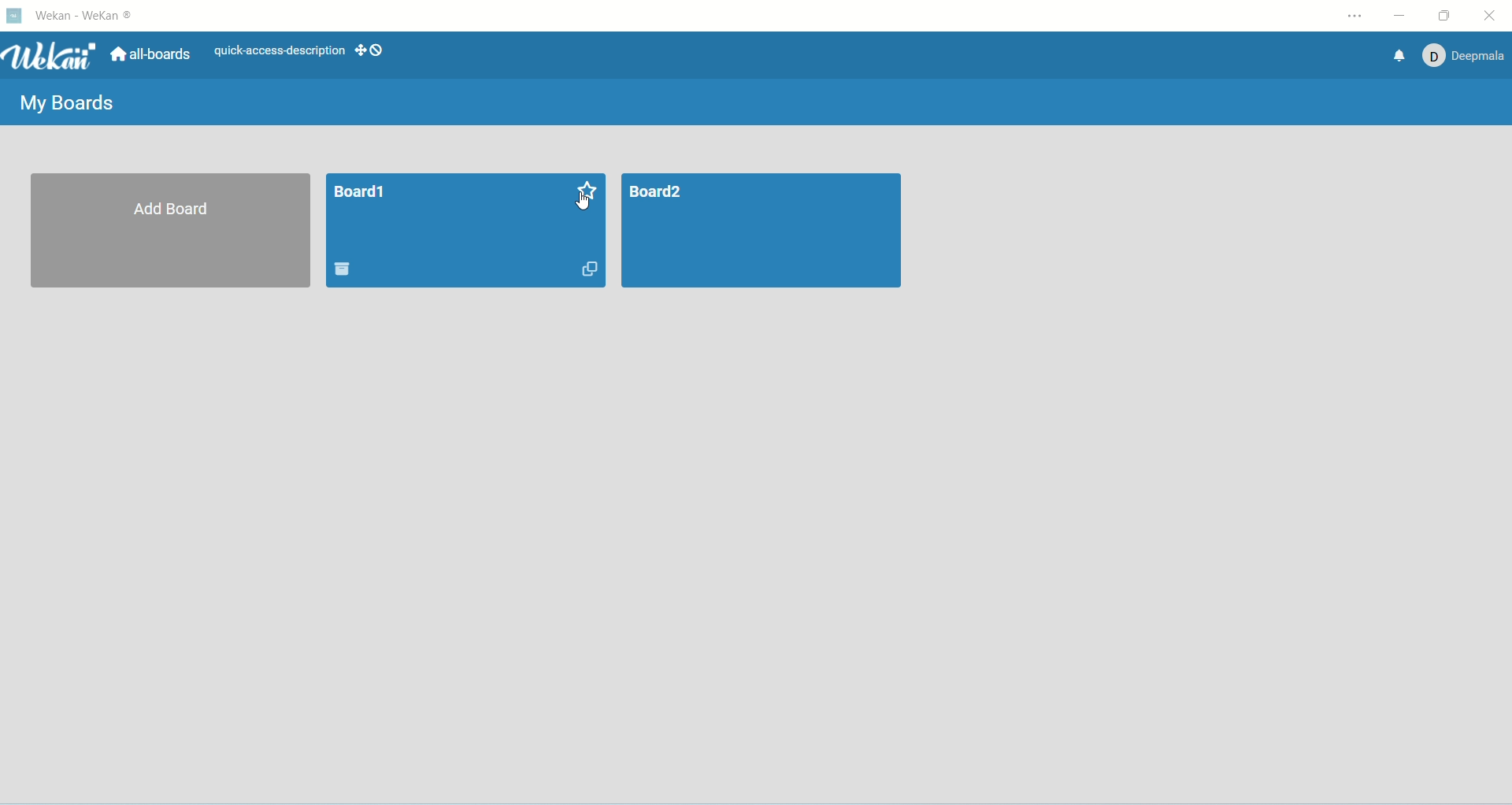 This screenshot has height=805, width=1512. What do you see at coordinates (1466, 57) in the screenshot?
I see `account` at bounding box center [1466, 57].